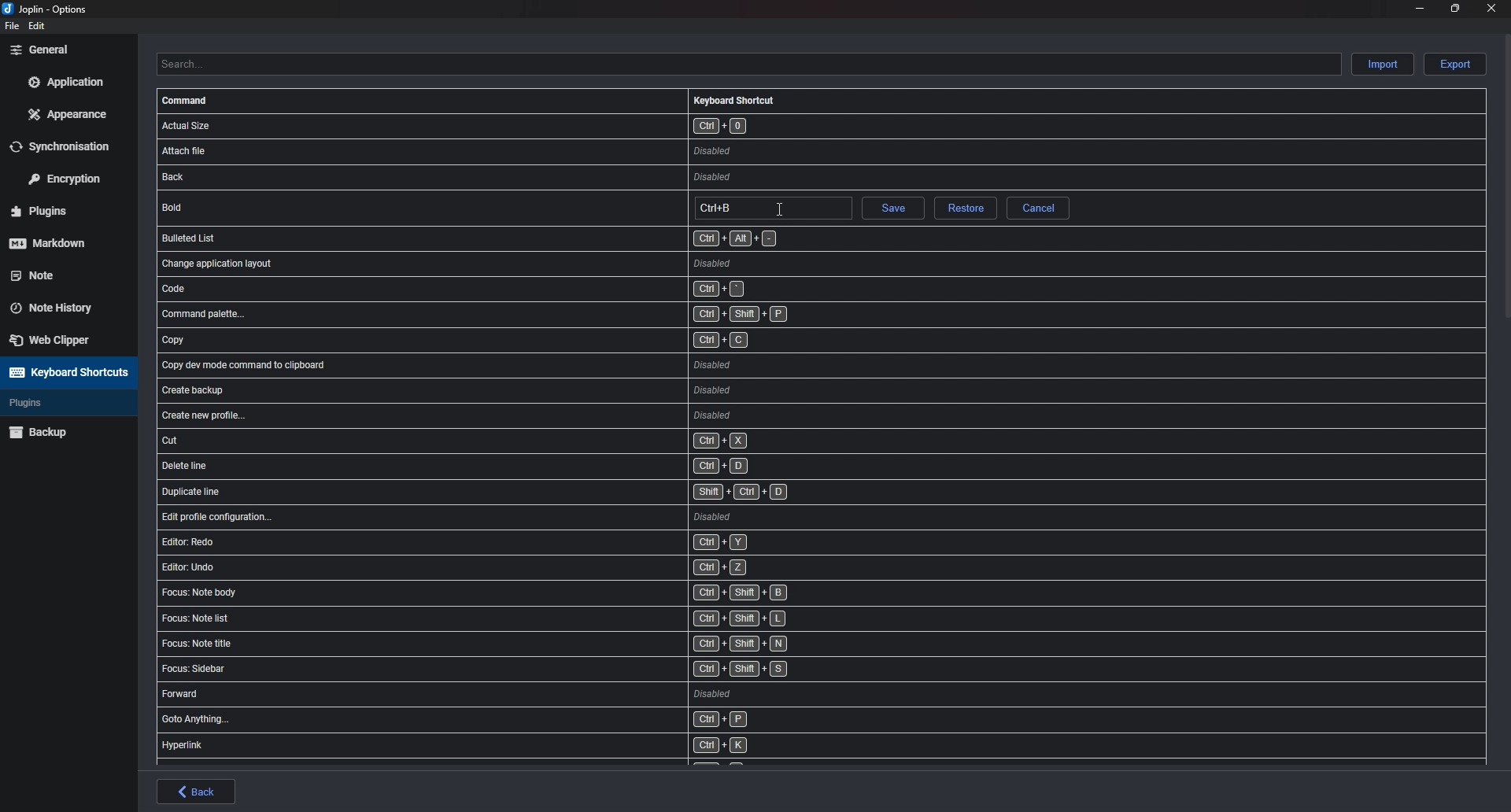 Image resolution: width=1511 pixels, height=812 pixels. What do you see at coordinates (1507, 175) in the screenshot?
I see `scroll bar` at bounding box center [1507, 175].